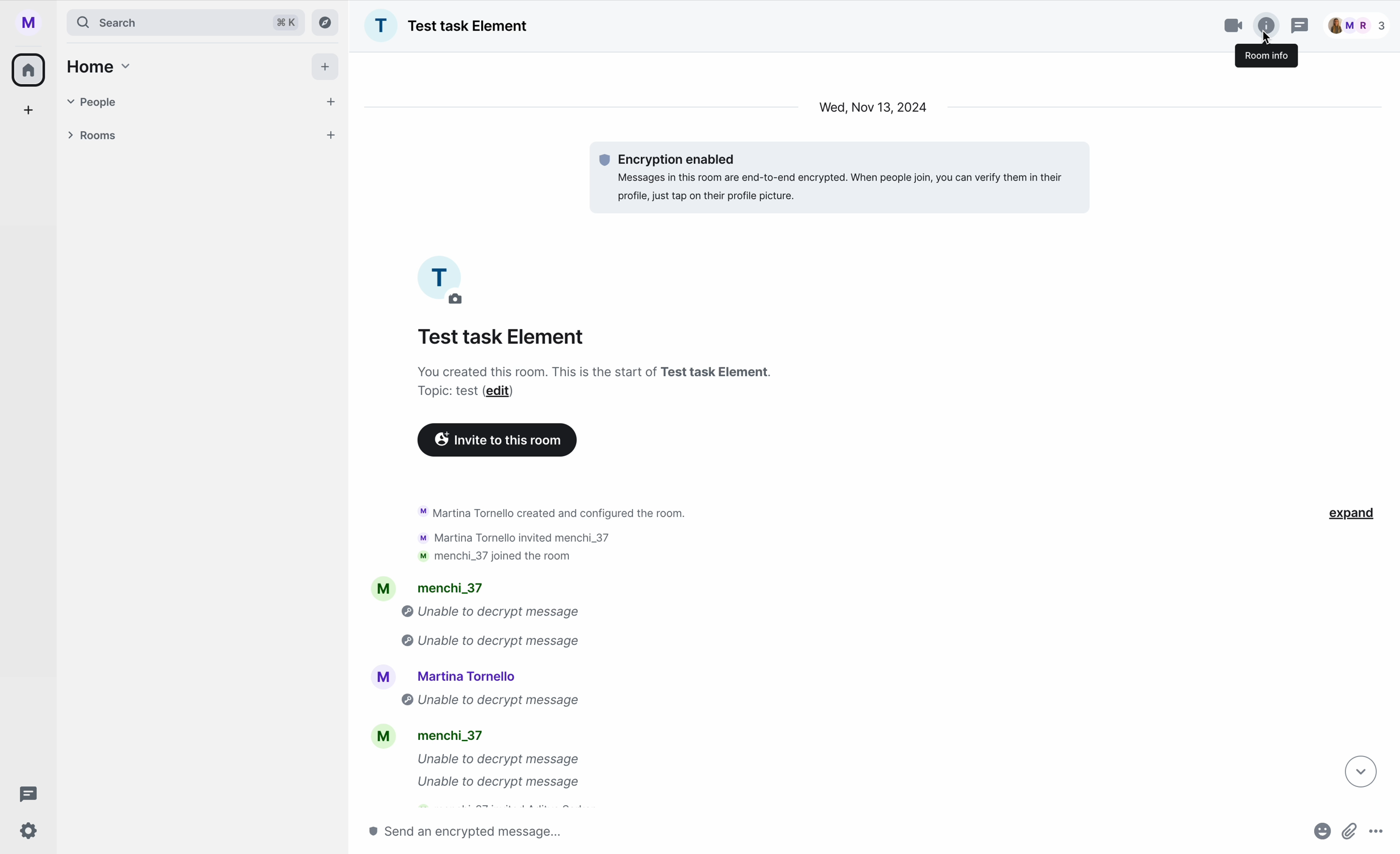 This screenshot has height=854, width=1400. Describe the element at coordinates (877, 106) in the screenshot. I see `date` at that location.